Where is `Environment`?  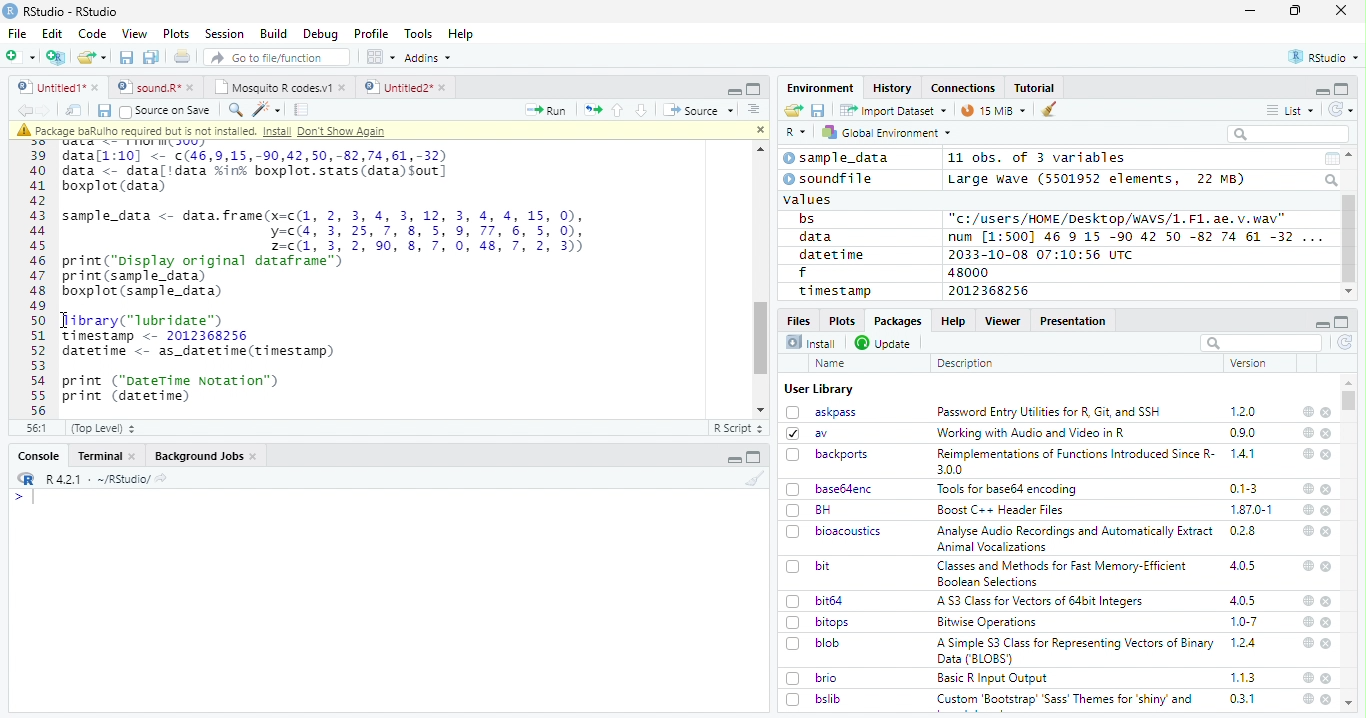 Environment is located at coordinates (821, 87).